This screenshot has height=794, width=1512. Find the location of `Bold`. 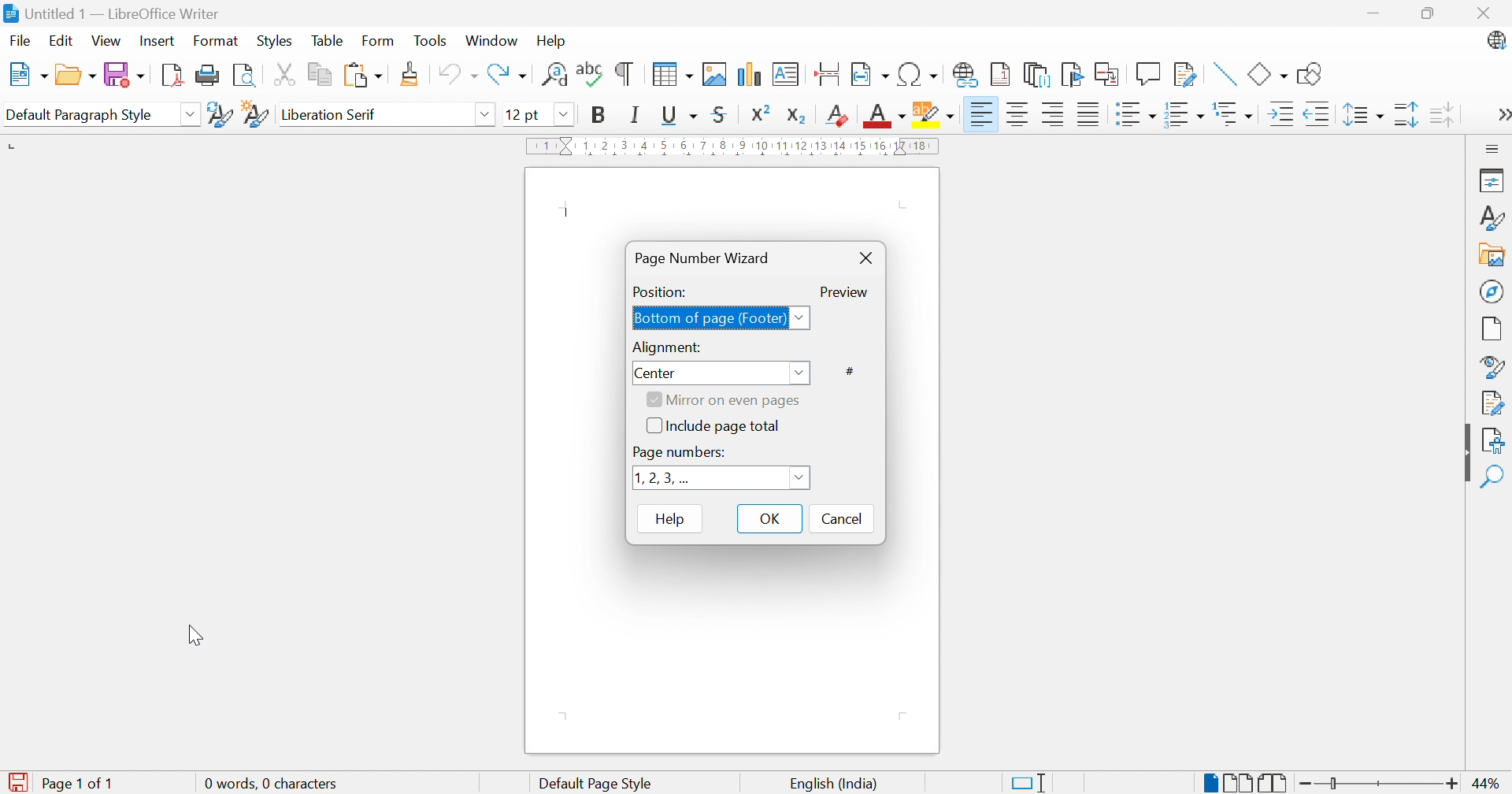

Bold is located at coordinates (601, 116).